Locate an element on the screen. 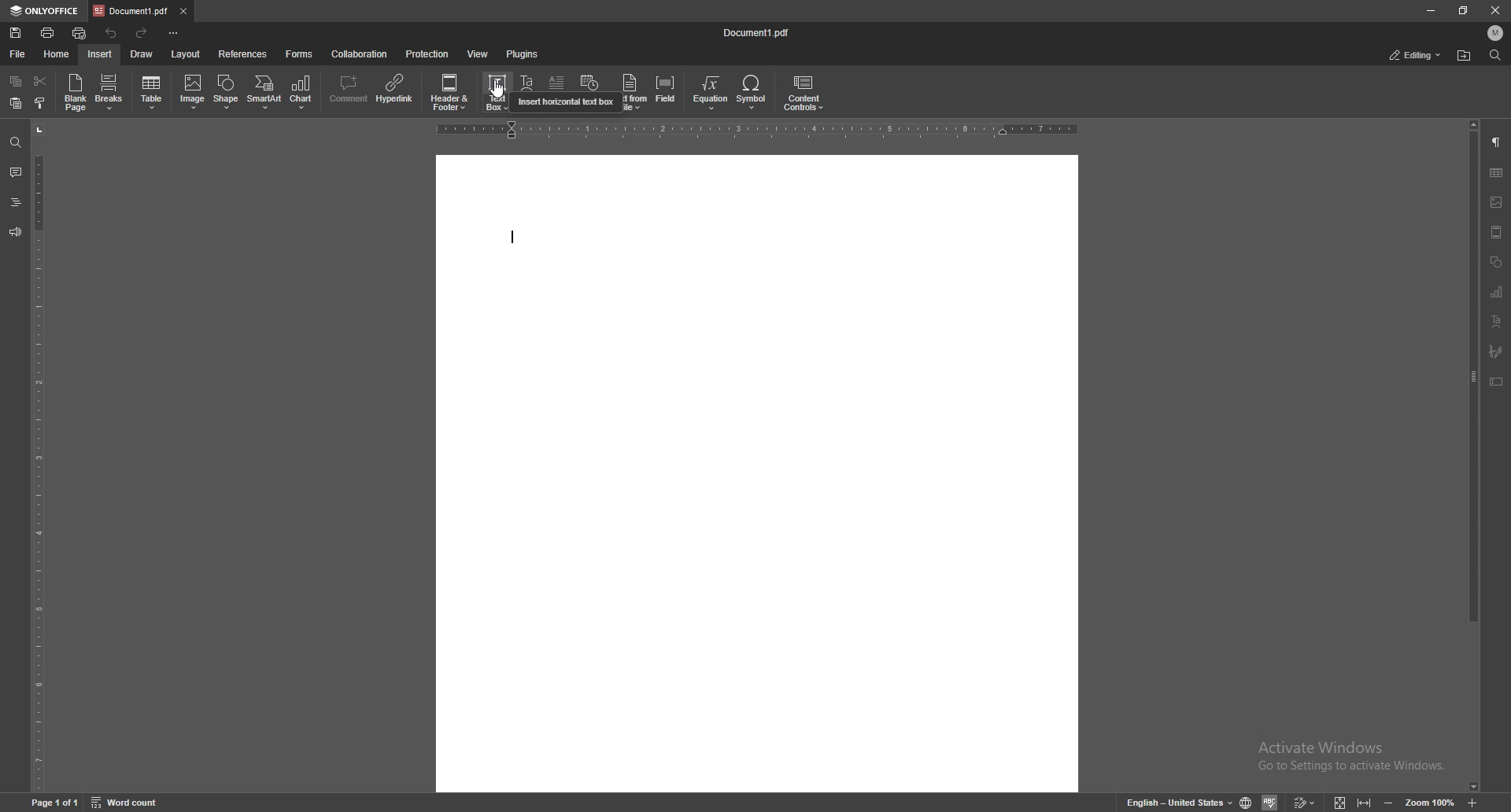  word count is located at coordinates (127, 803).